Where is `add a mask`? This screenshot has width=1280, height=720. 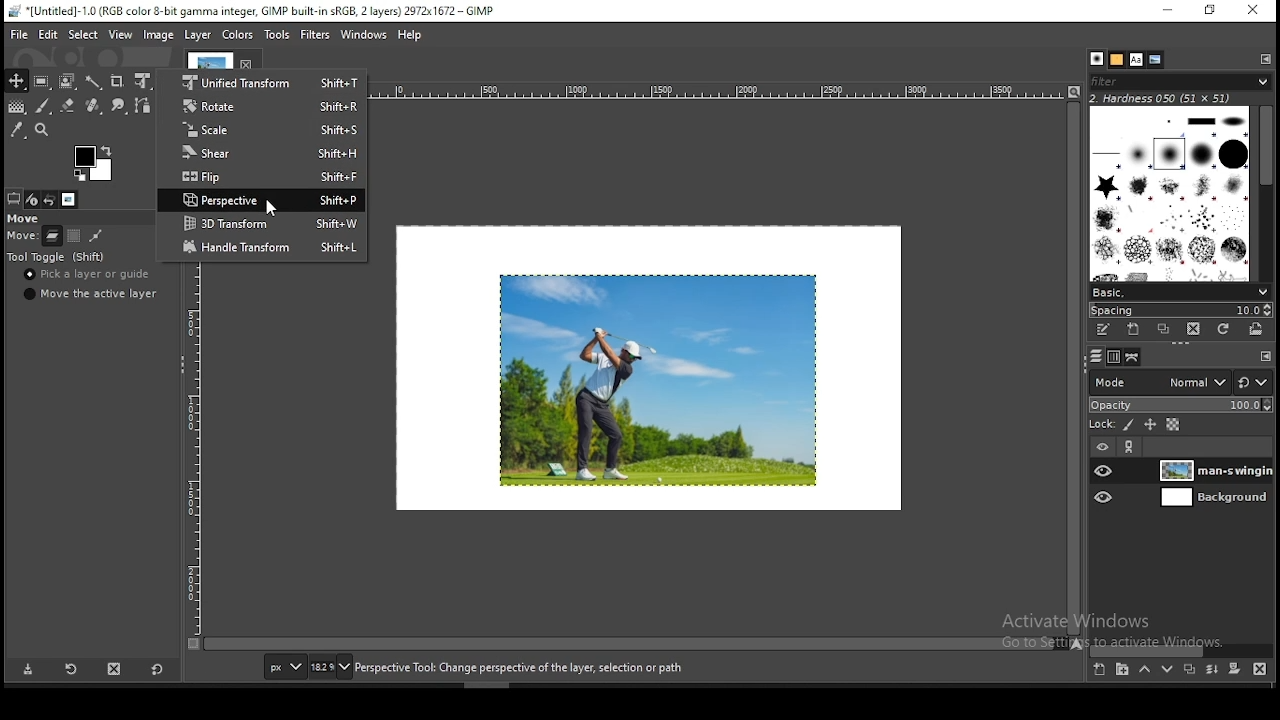 add a mask is located at coordinates (1231, 668).